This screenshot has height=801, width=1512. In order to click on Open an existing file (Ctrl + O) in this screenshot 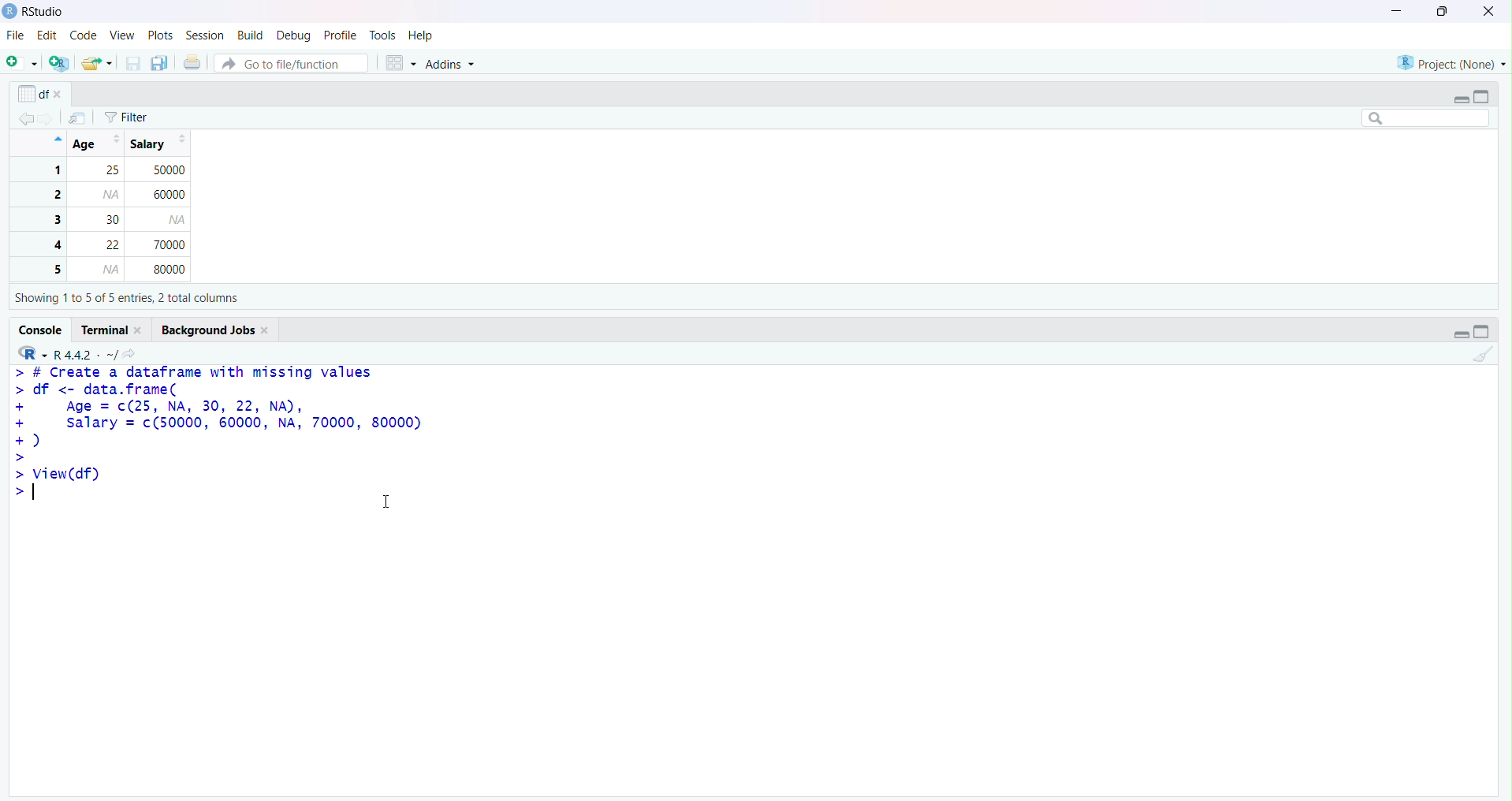, I will do `click(97, 62)`.